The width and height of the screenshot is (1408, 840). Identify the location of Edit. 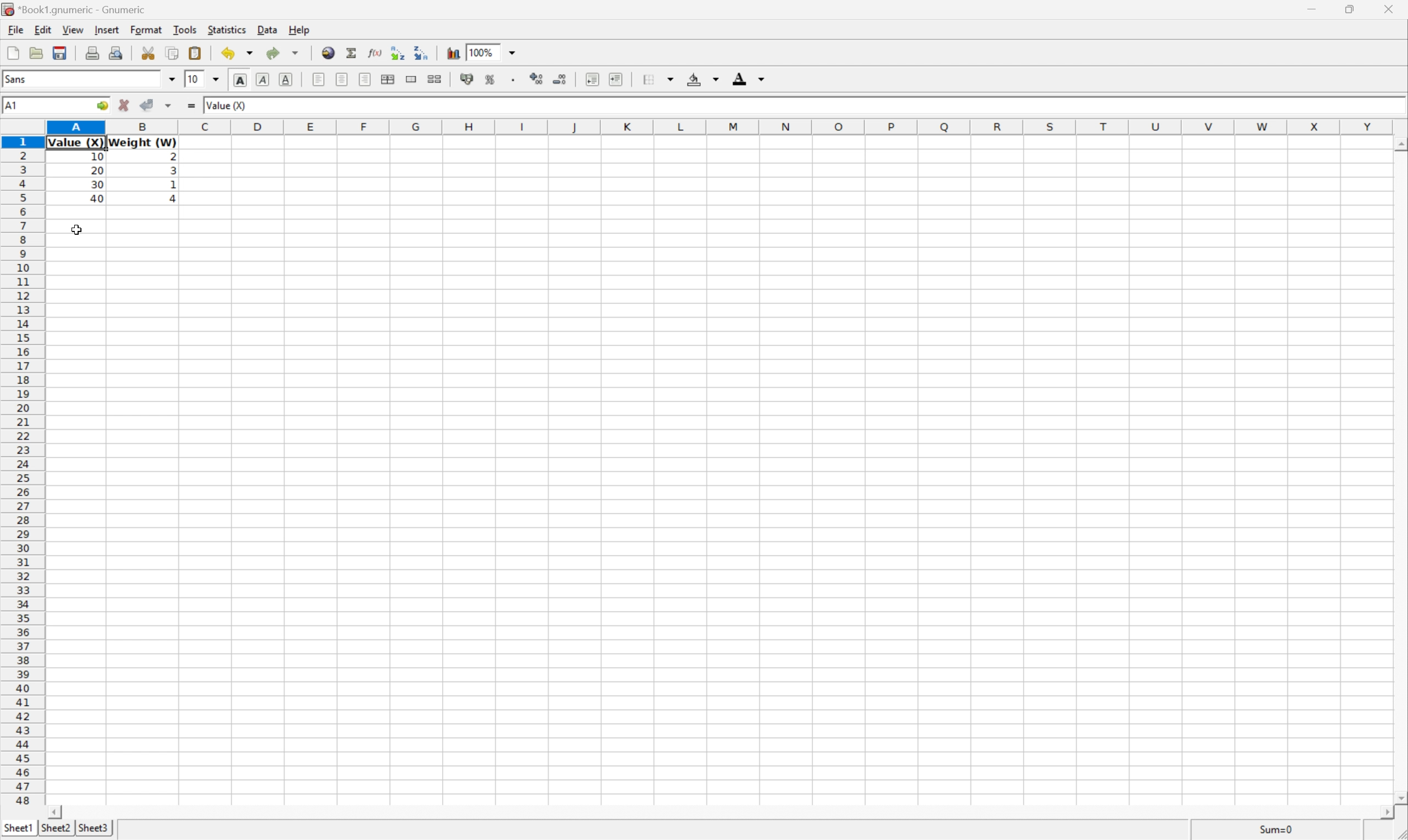
(43, 29).